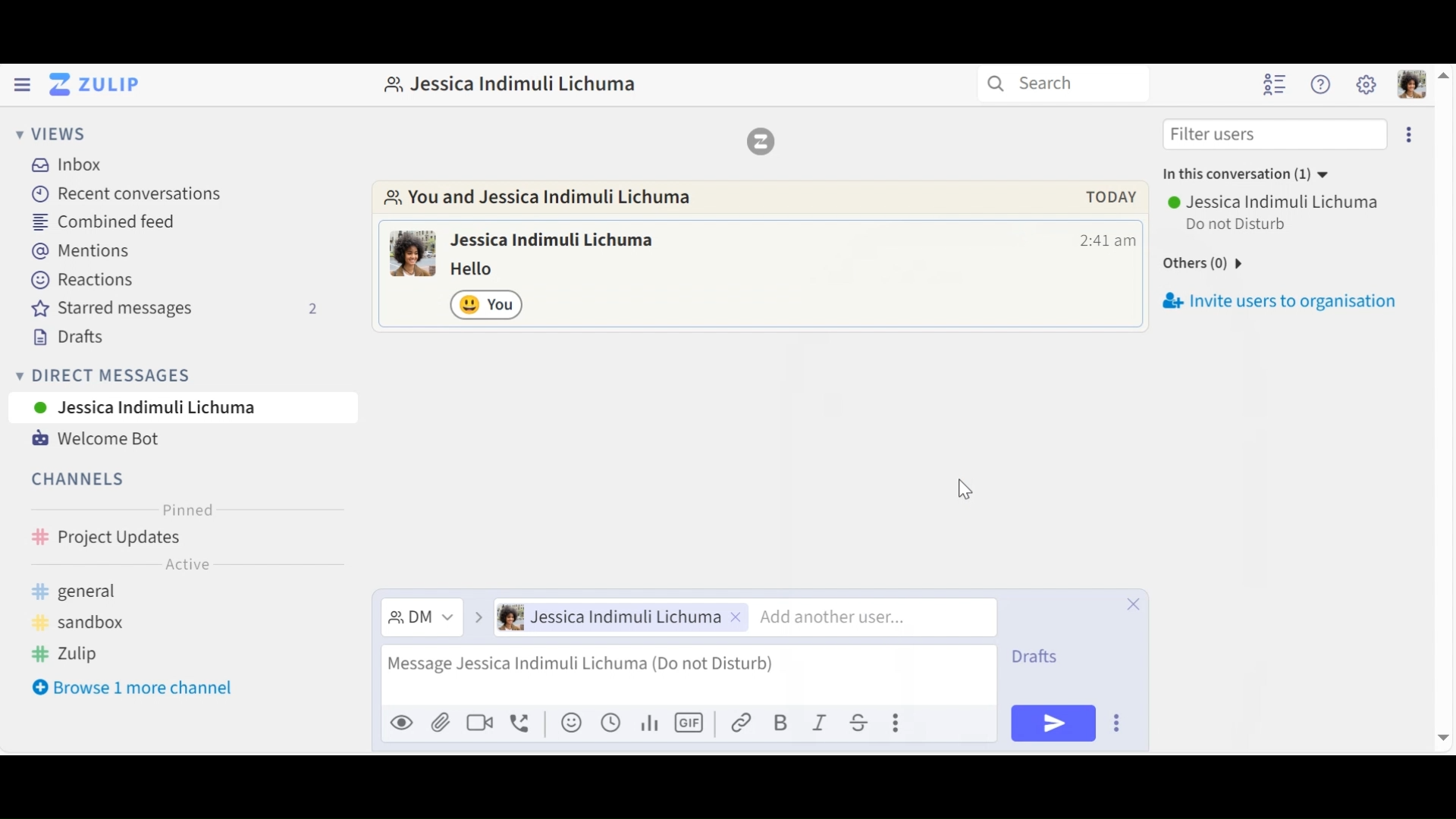 This screenshot has height=819, width=1456. Describe the element at coordinates (103, 439) in the screenshot. I see `` at that location.